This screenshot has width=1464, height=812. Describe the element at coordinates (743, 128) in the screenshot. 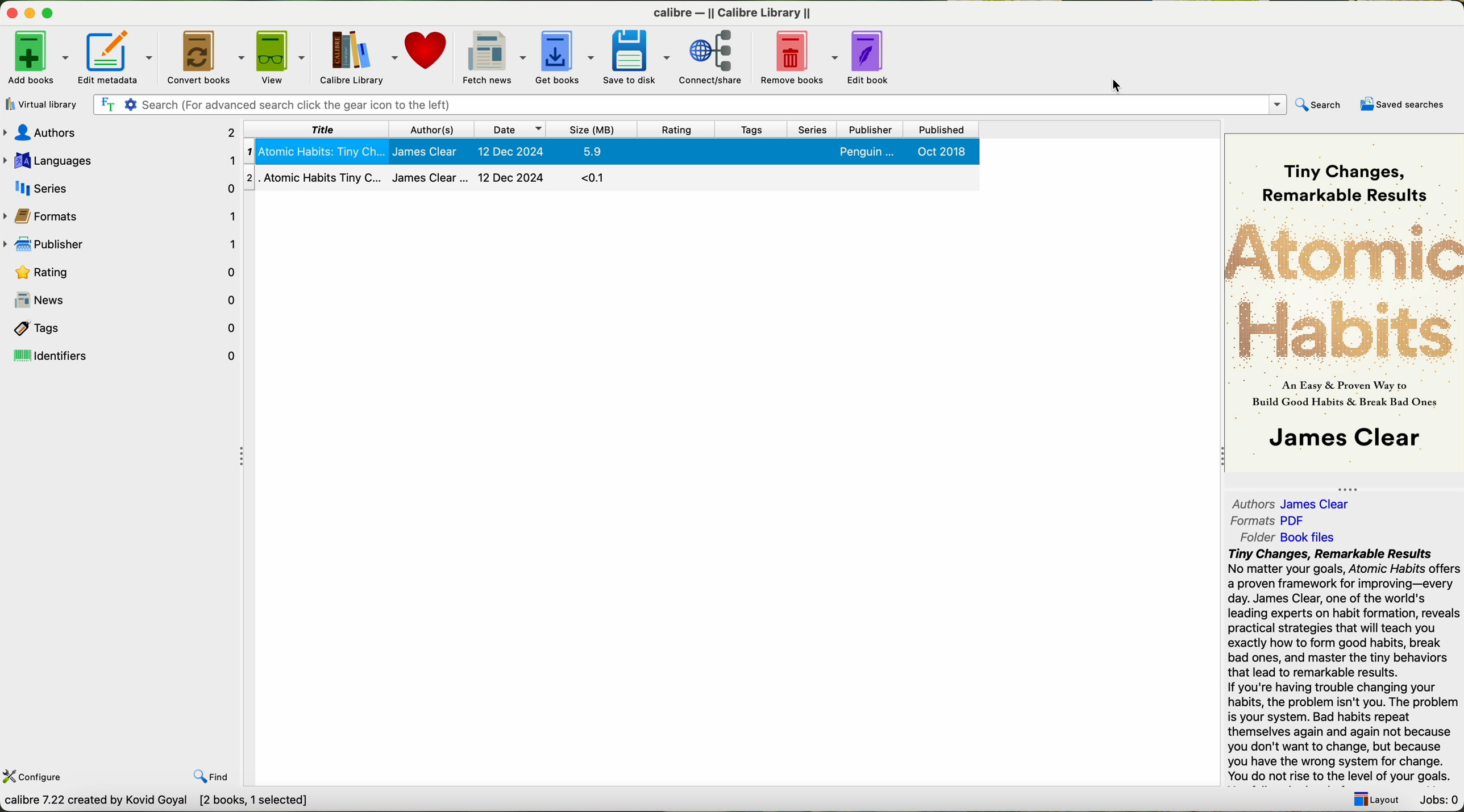

I see `tags` at that location.